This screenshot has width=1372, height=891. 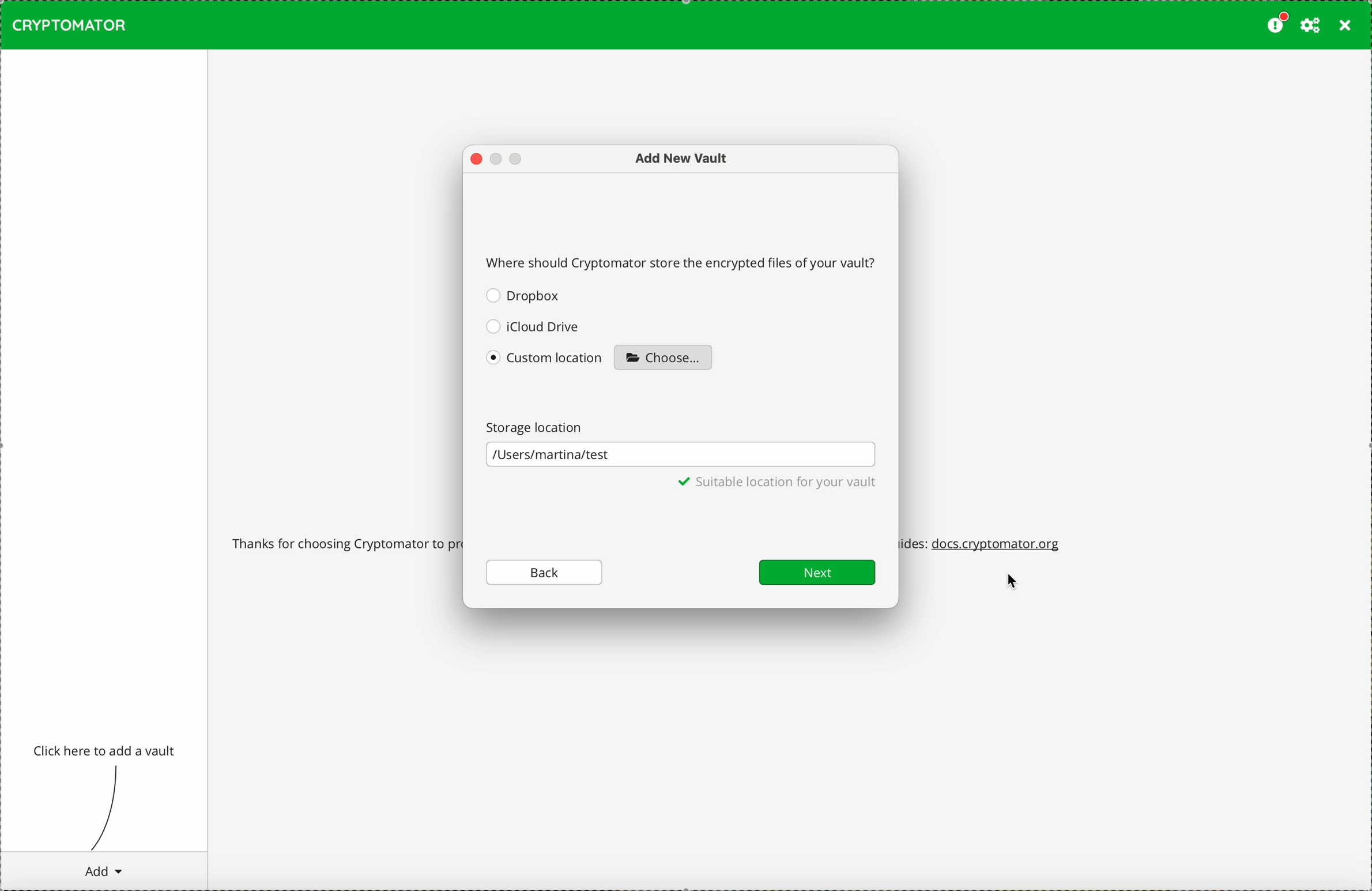 I want to click on close, so click(x=1345, y=26).